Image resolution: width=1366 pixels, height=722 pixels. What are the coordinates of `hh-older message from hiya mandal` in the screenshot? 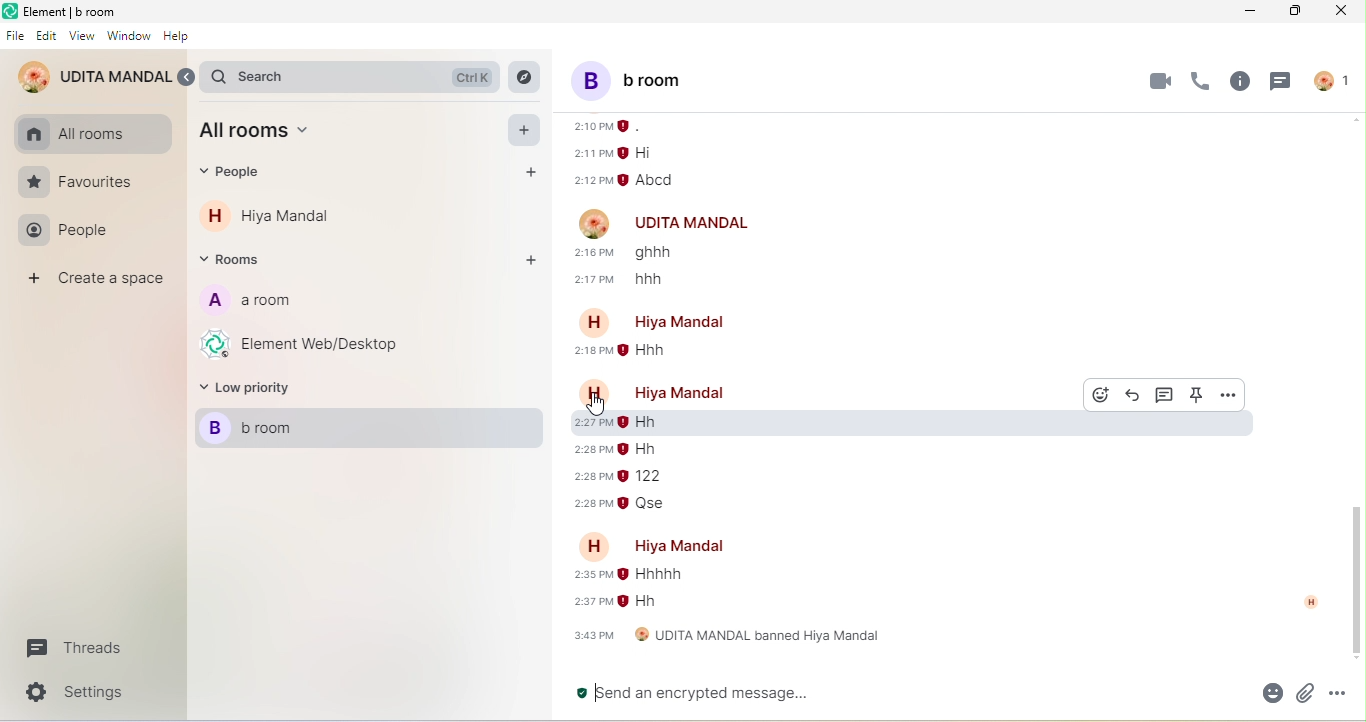 It's located at (639, 448).